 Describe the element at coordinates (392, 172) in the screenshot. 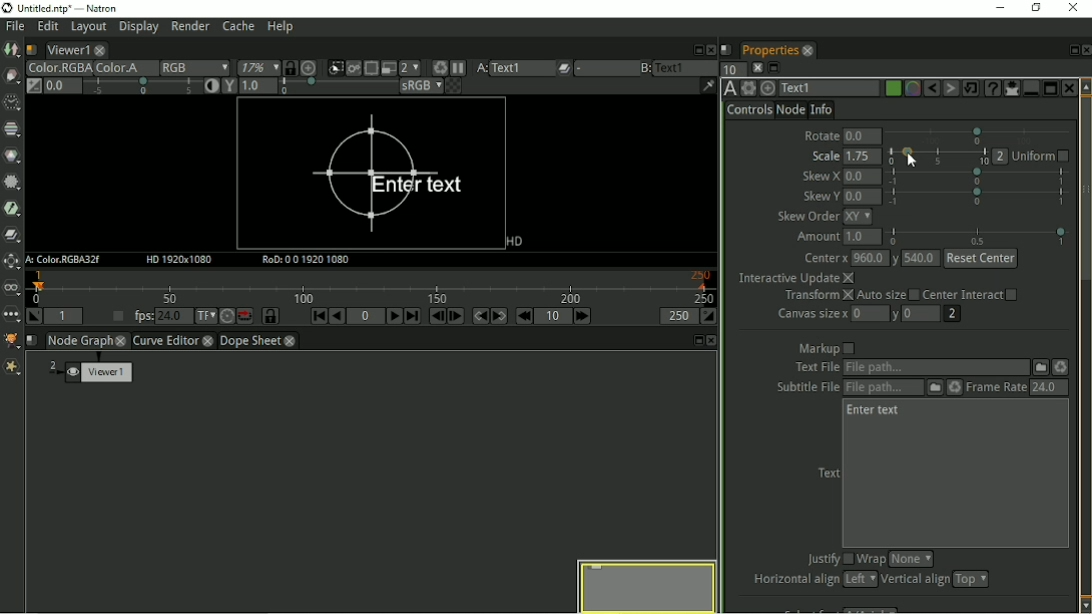

I see `Size increased` at that location.